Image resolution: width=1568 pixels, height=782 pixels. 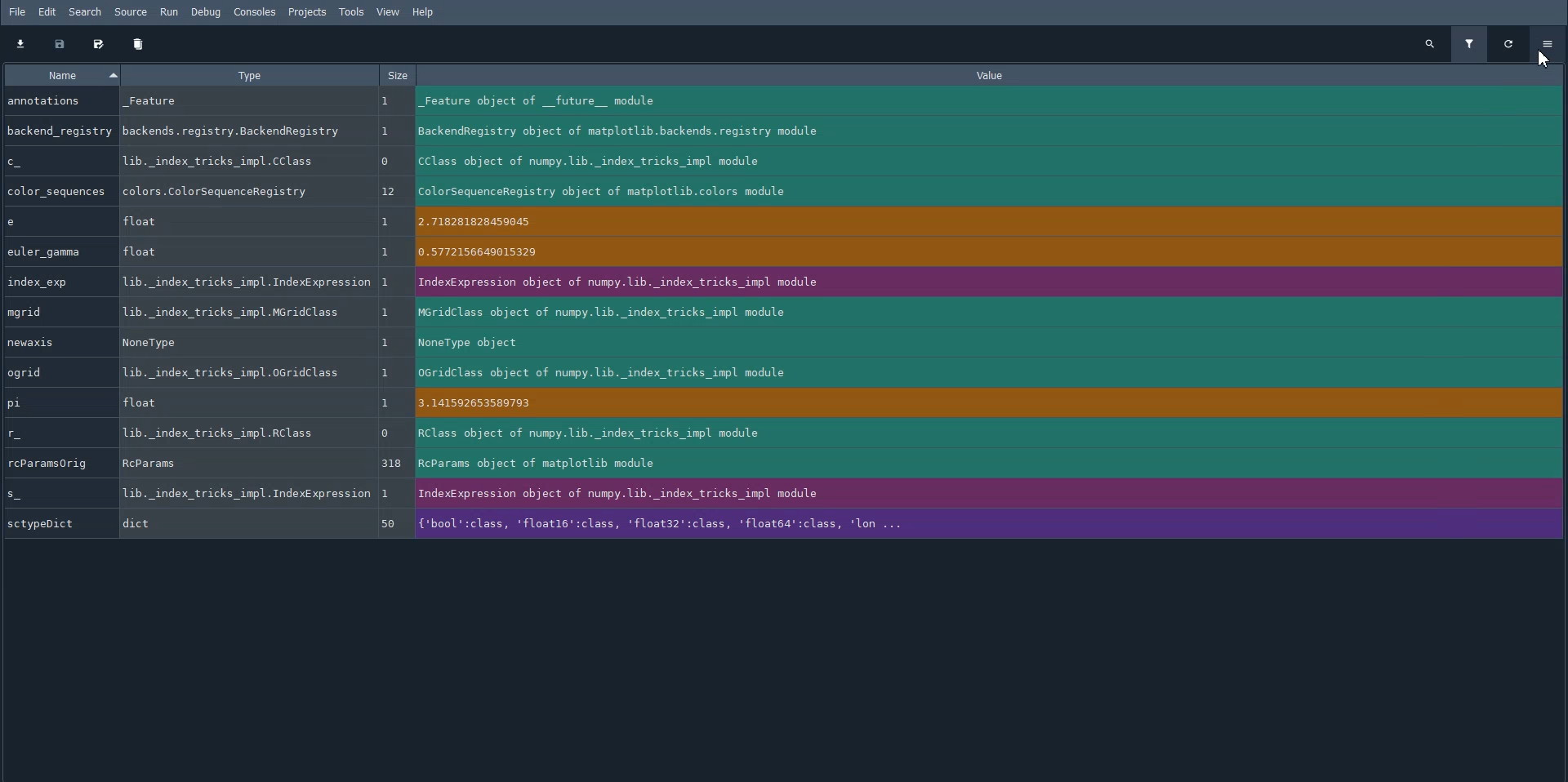 What do you see at coordinates (98, 44) in the screenshot?
I see `Copy data as` at bounding box center [98, 44].